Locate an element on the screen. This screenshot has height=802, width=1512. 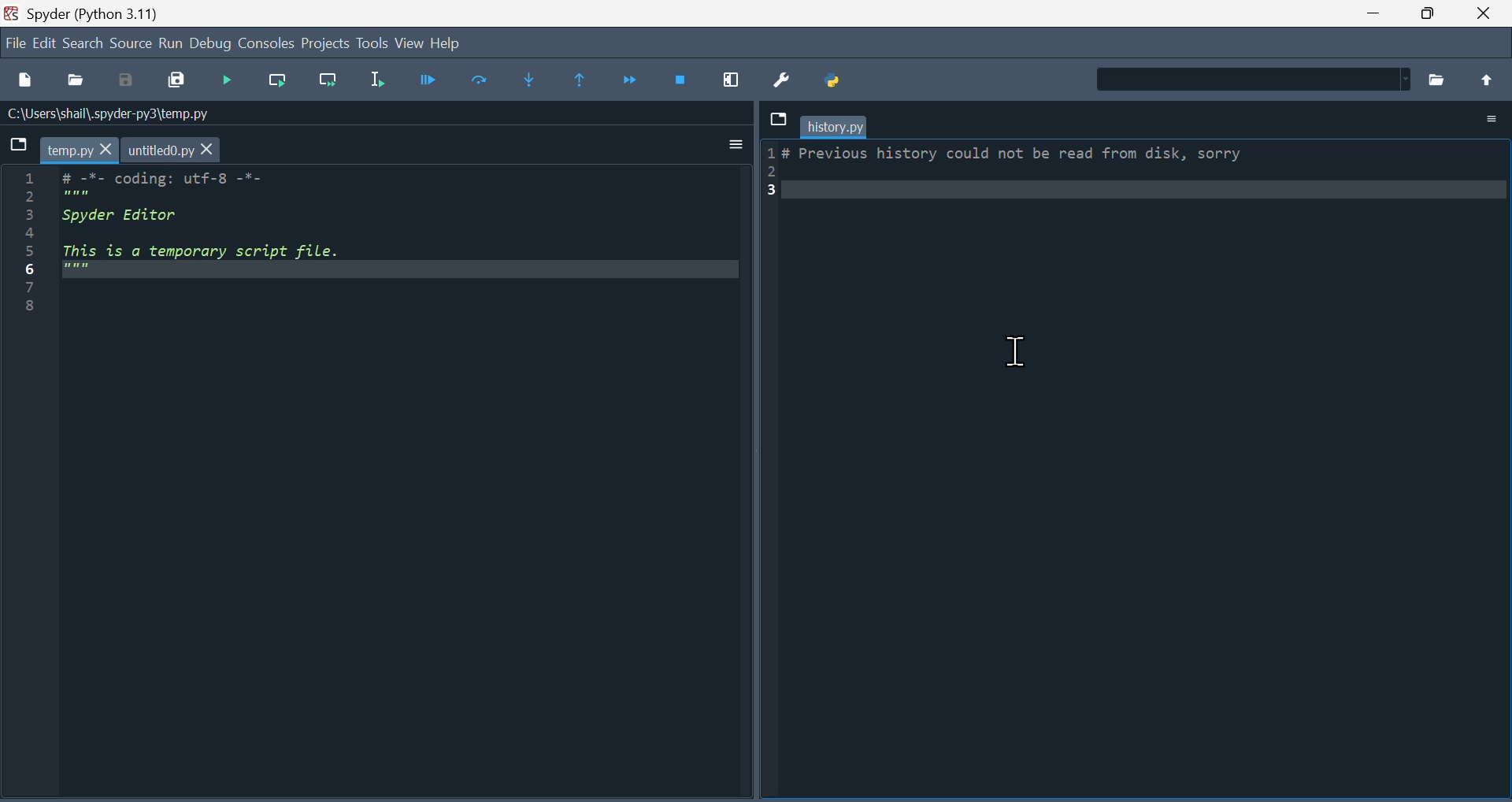
Stop debugging is located at coordinates (686, 76).